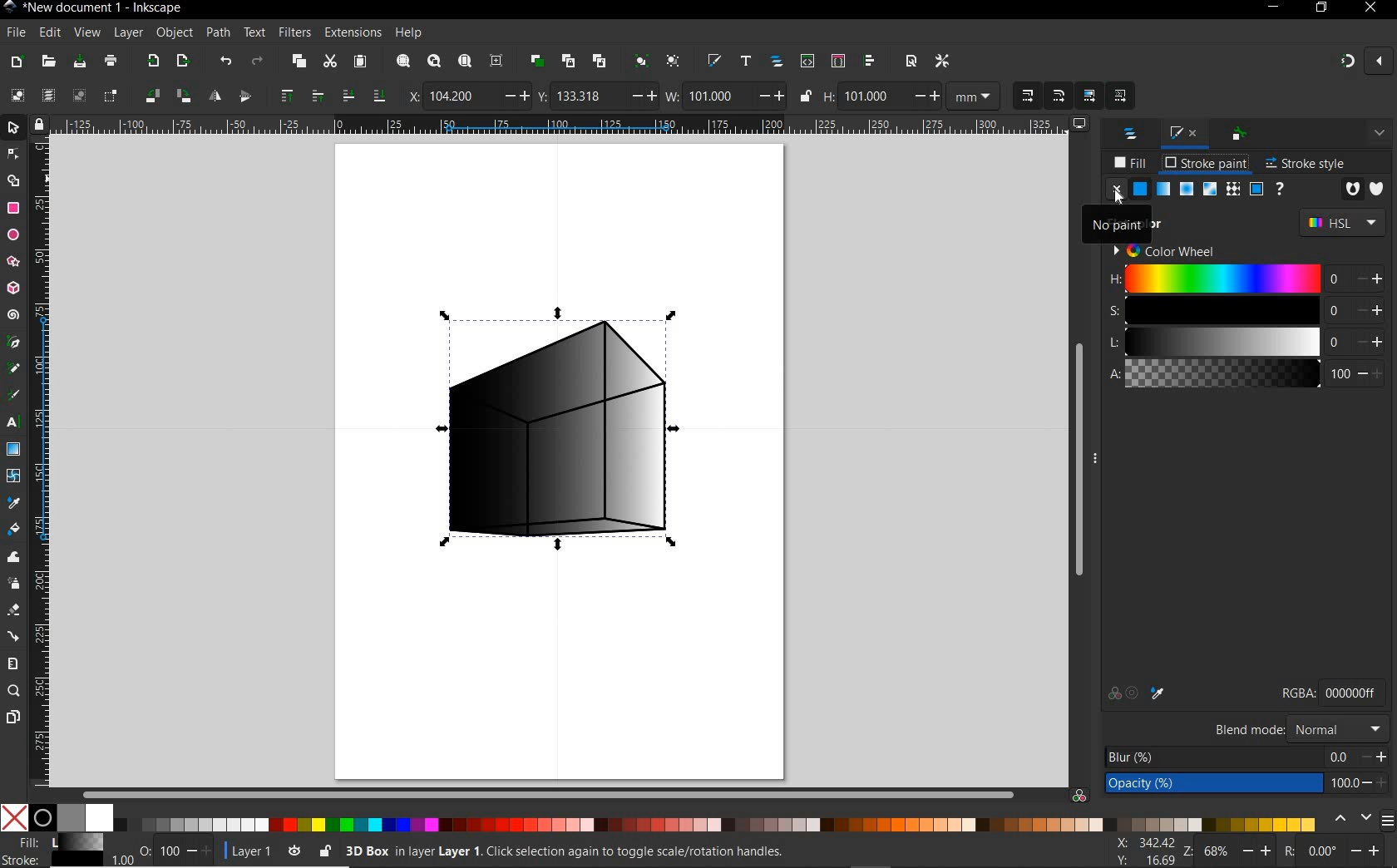 This screenshot has height=868, width=1397. What do you see at coordinates (1223, 341) in the screenshot?
I see `l` at bounding box center [1223, 341].